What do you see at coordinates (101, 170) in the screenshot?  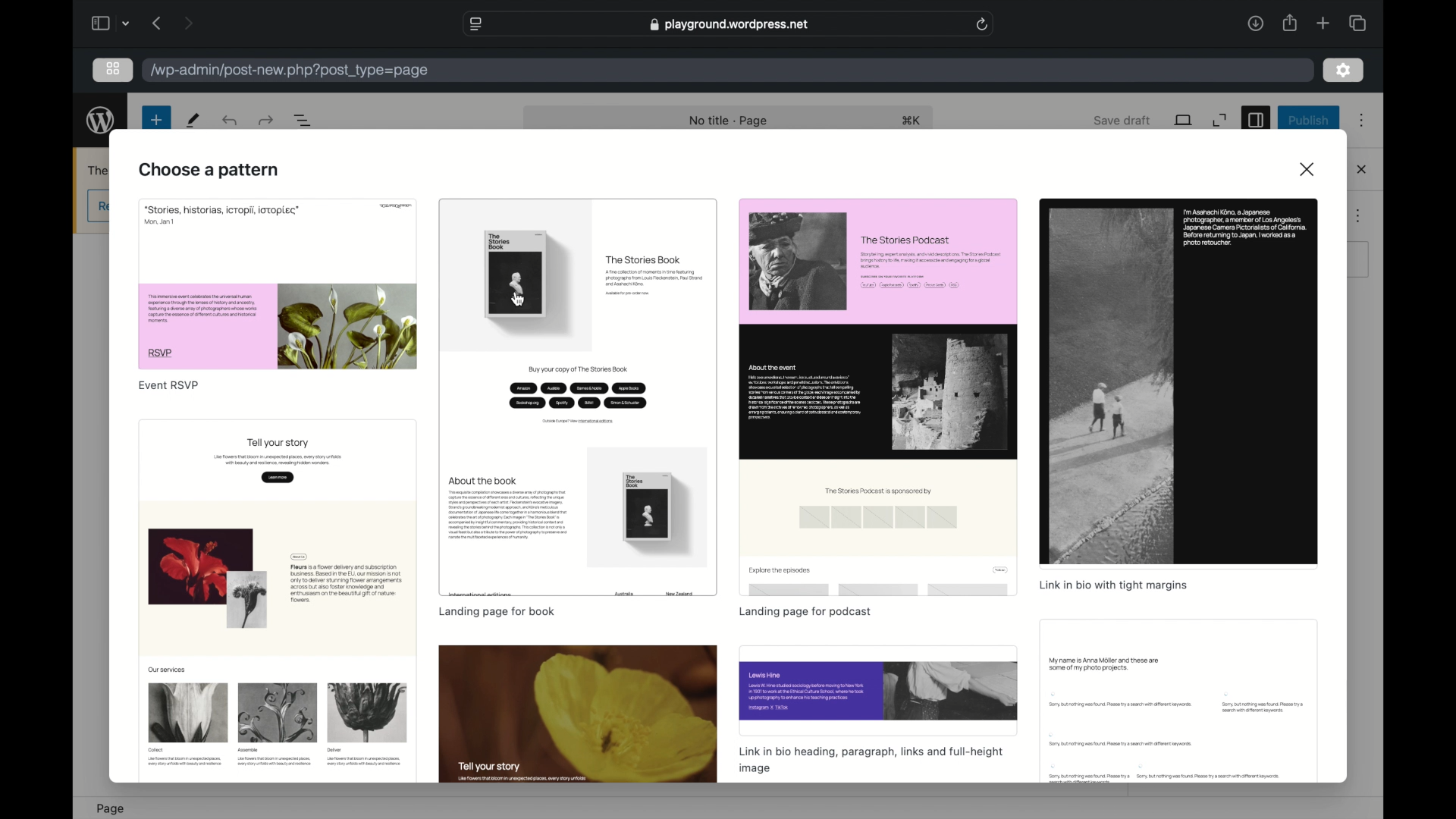 I see `obscure text` at bounding box center [101, 170].